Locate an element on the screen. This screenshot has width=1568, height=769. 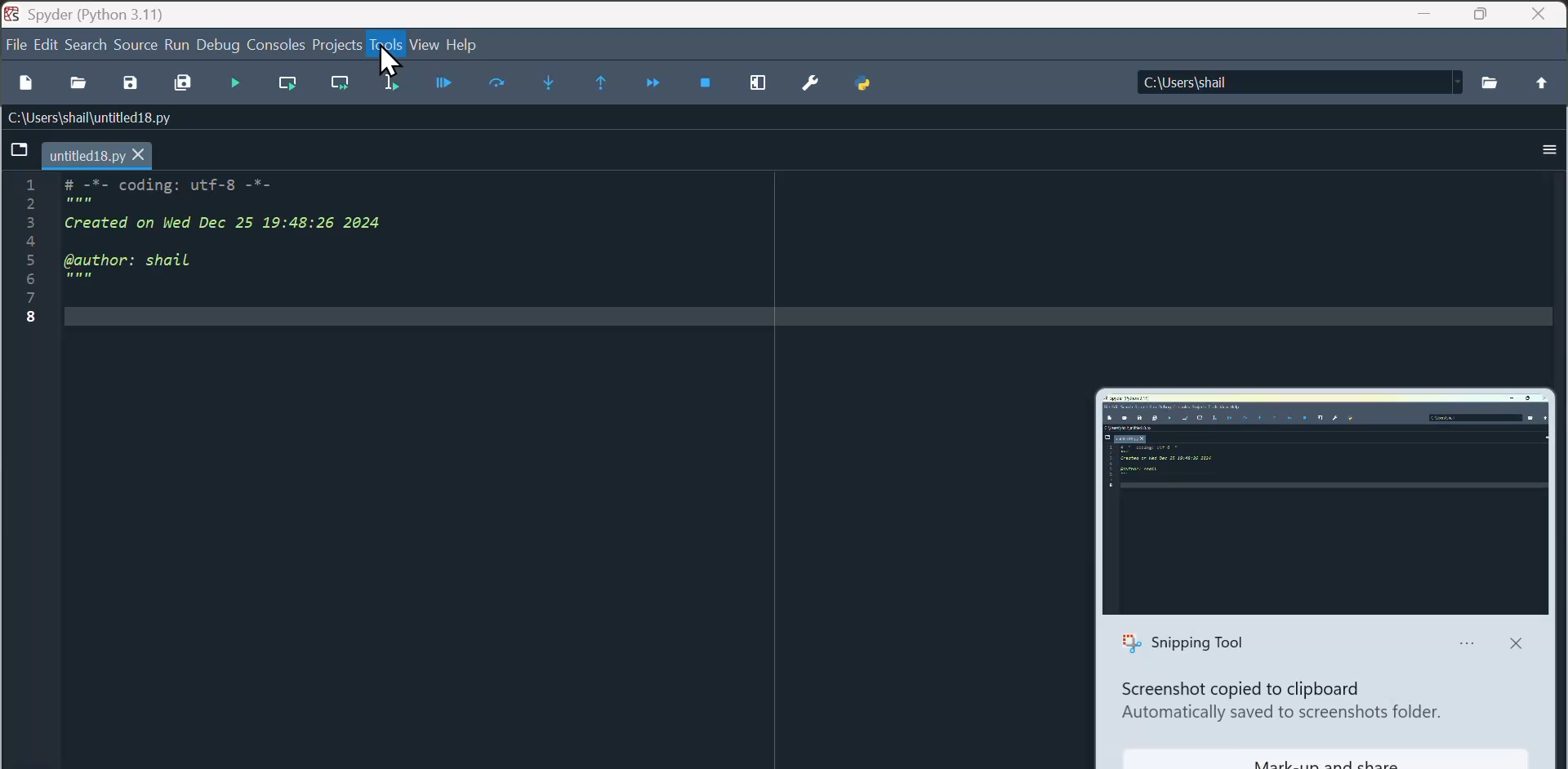
Run is located at coordinates (176, 43).